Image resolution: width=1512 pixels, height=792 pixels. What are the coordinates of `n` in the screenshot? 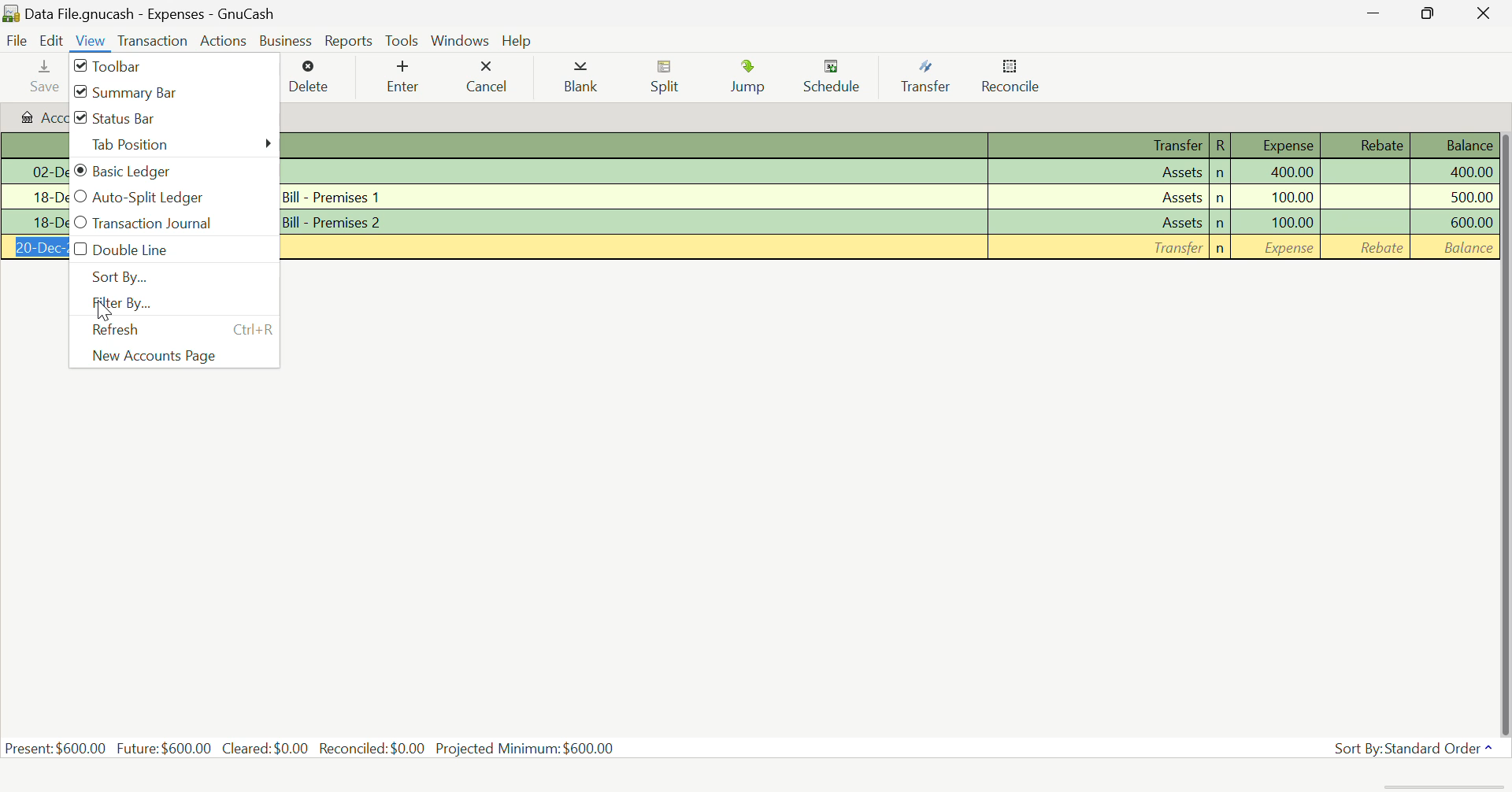 It's located at (1221, 198).